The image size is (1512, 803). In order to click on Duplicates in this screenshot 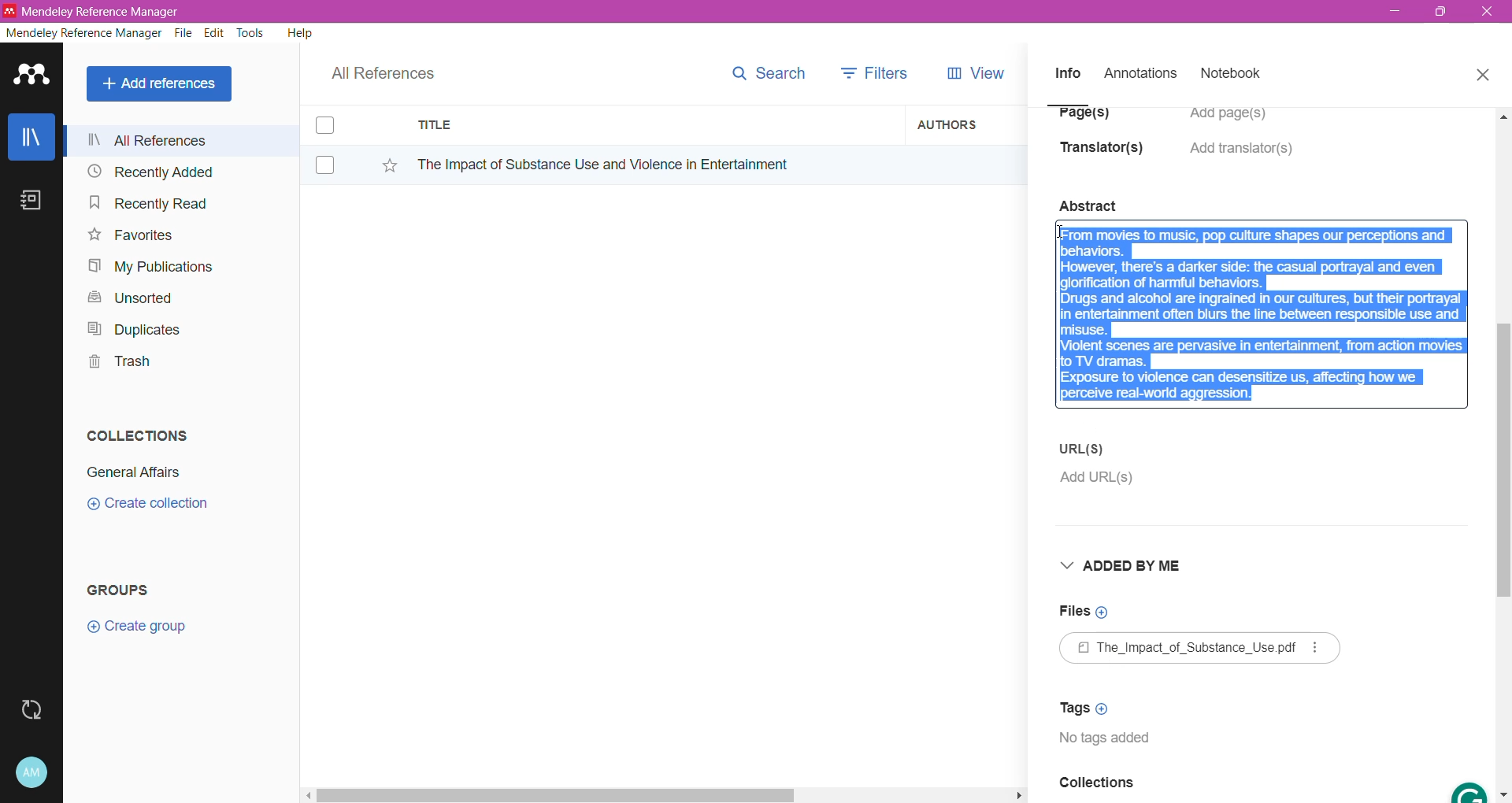, I will do `click(129, 327)`.